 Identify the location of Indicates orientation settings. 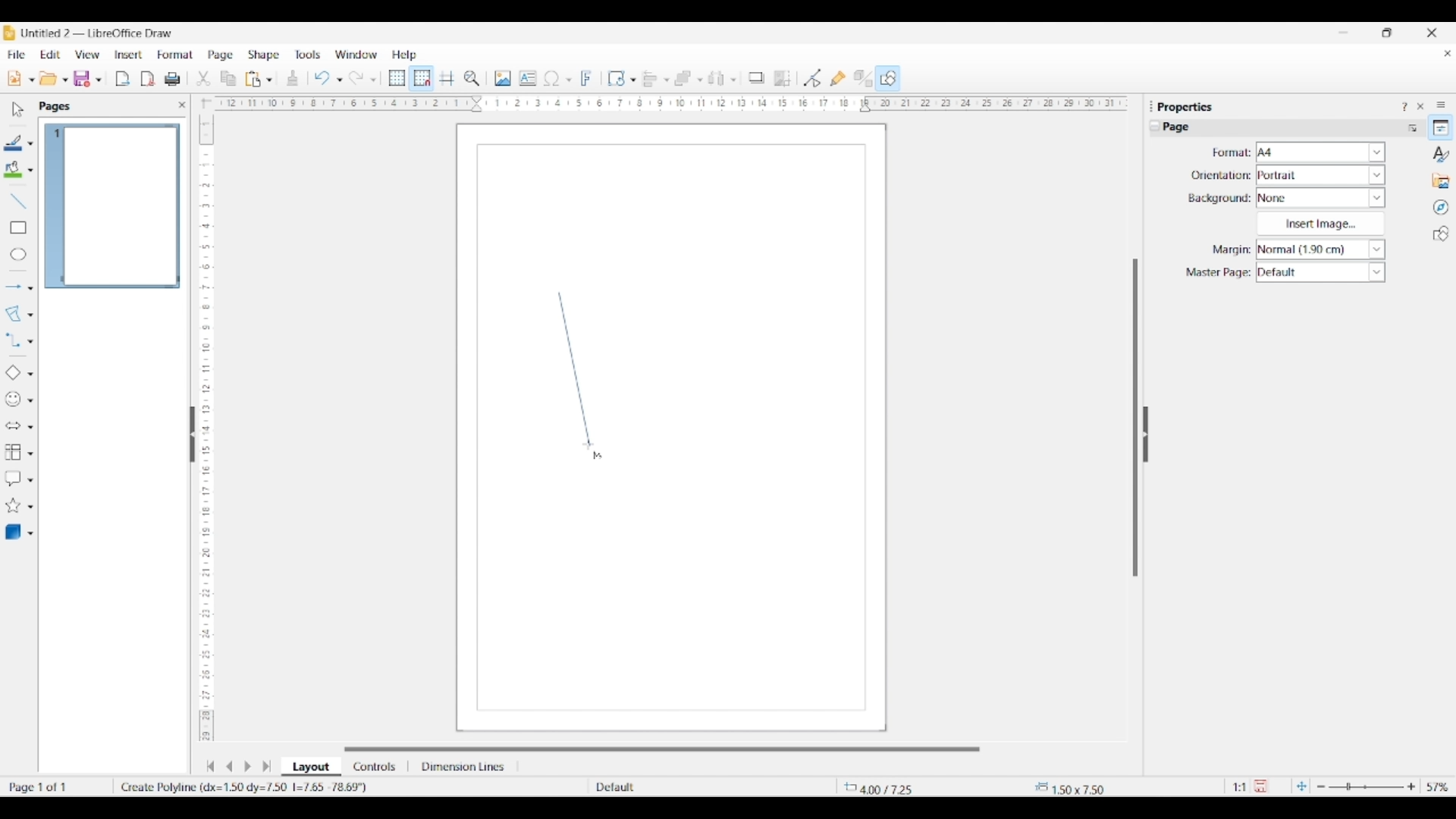
(1221, 175).